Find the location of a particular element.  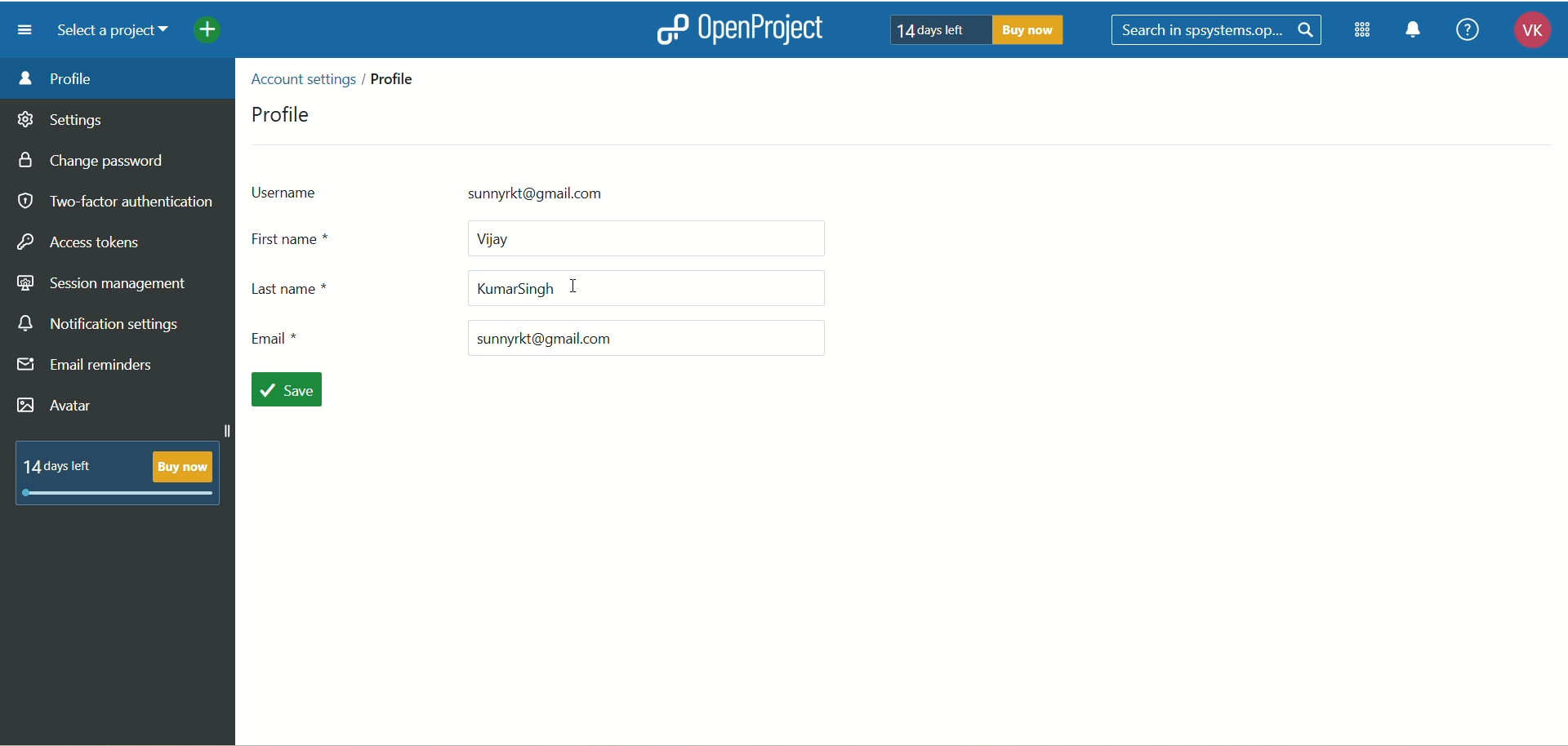

access tokens is located at coordinates (82, 240).